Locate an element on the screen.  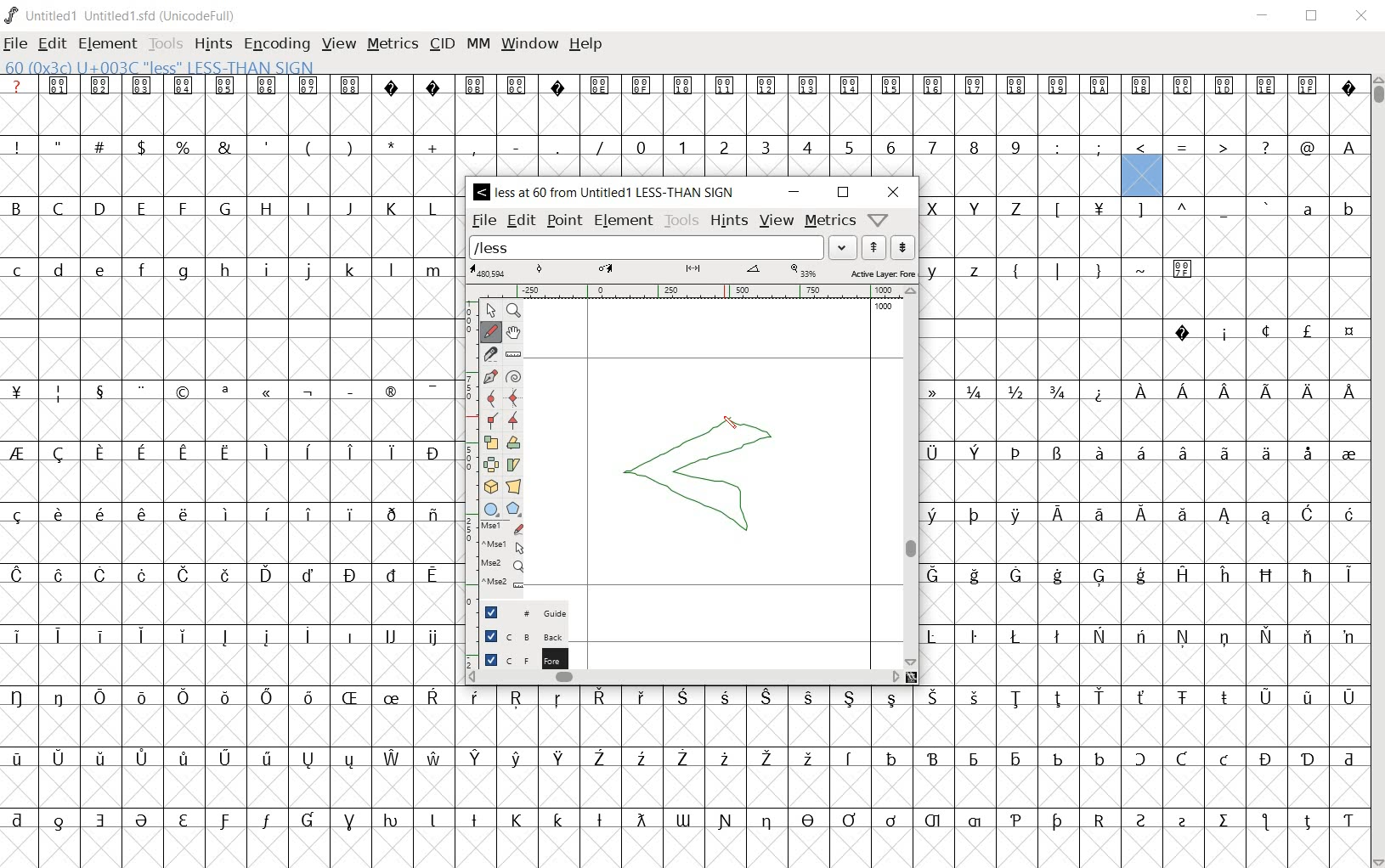
window is located at coordinates (529, 45).